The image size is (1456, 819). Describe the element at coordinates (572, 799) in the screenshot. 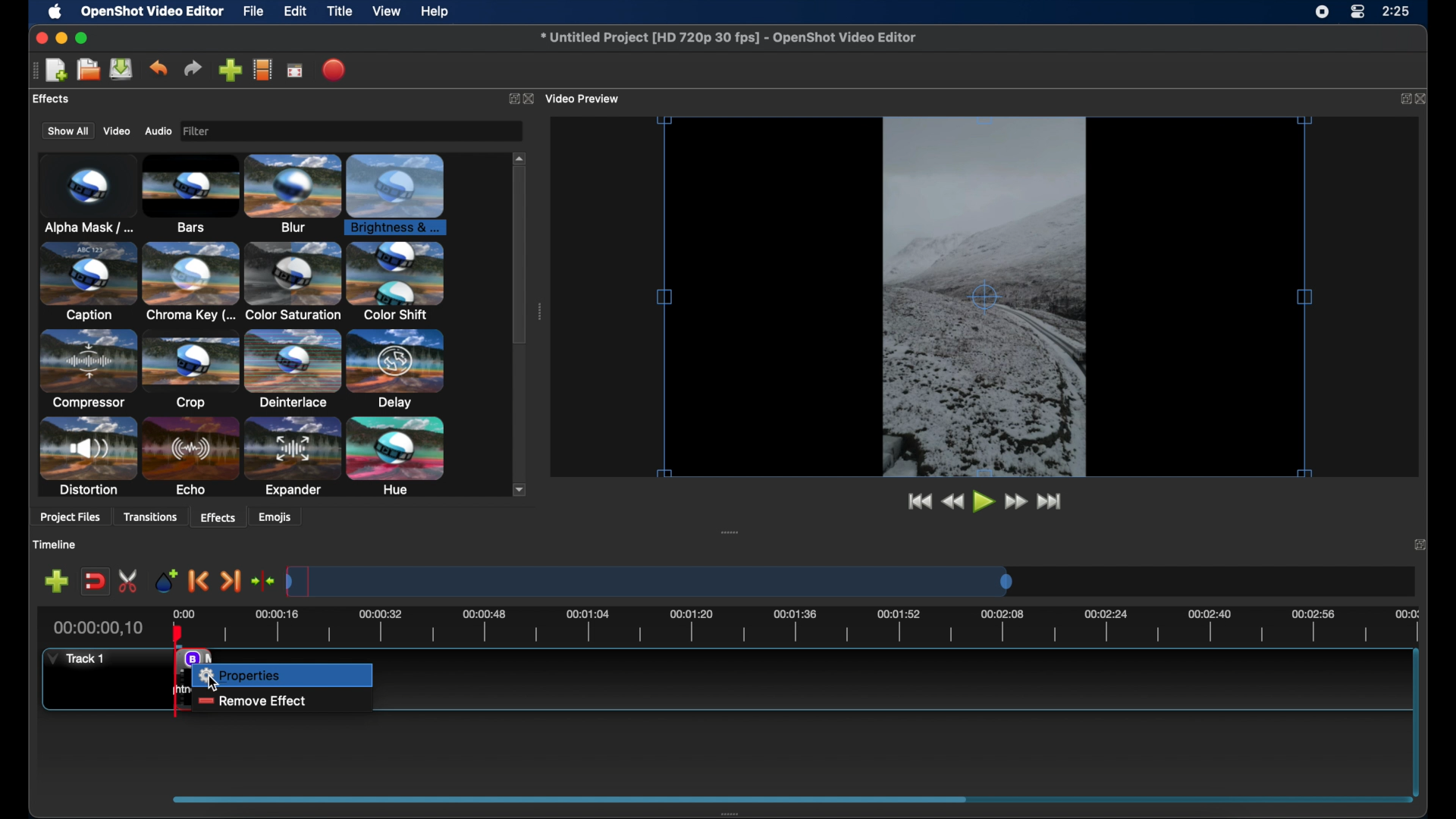

I see `scroll box` at that location.